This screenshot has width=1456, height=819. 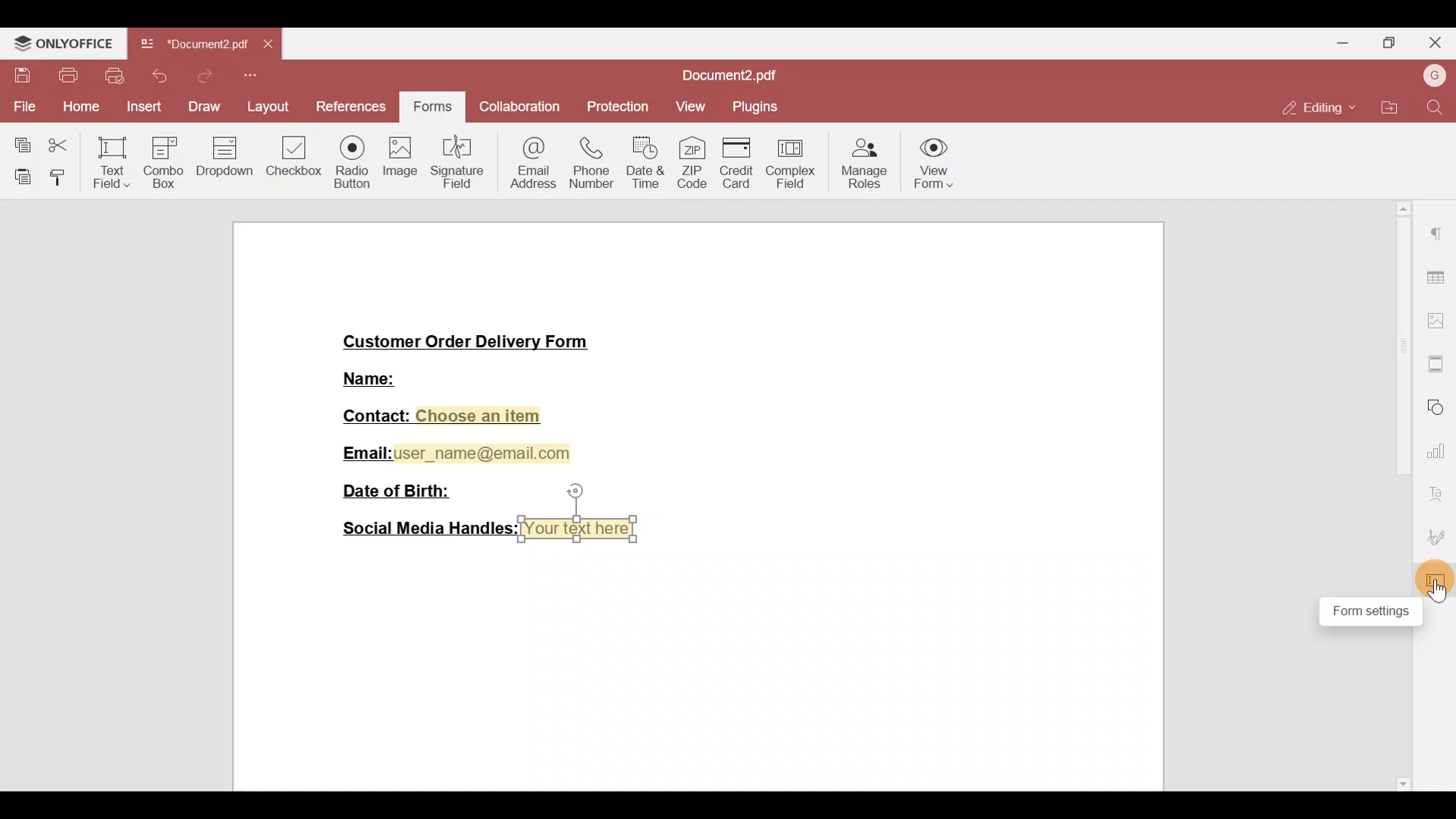 I want to click on Radio button, so click(x=347, y=159).